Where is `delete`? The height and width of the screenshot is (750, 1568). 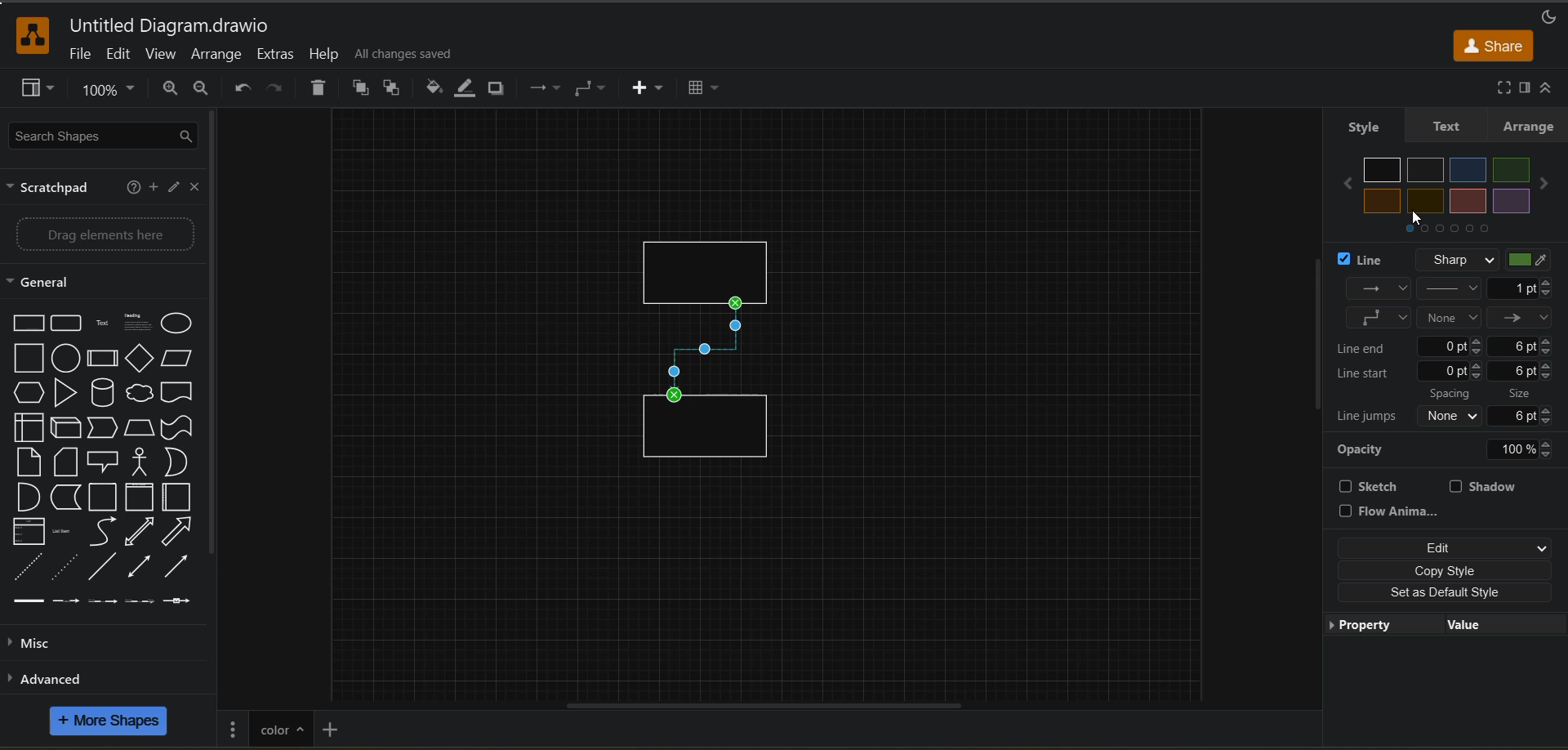
delete is located at coordinates (322, 90).